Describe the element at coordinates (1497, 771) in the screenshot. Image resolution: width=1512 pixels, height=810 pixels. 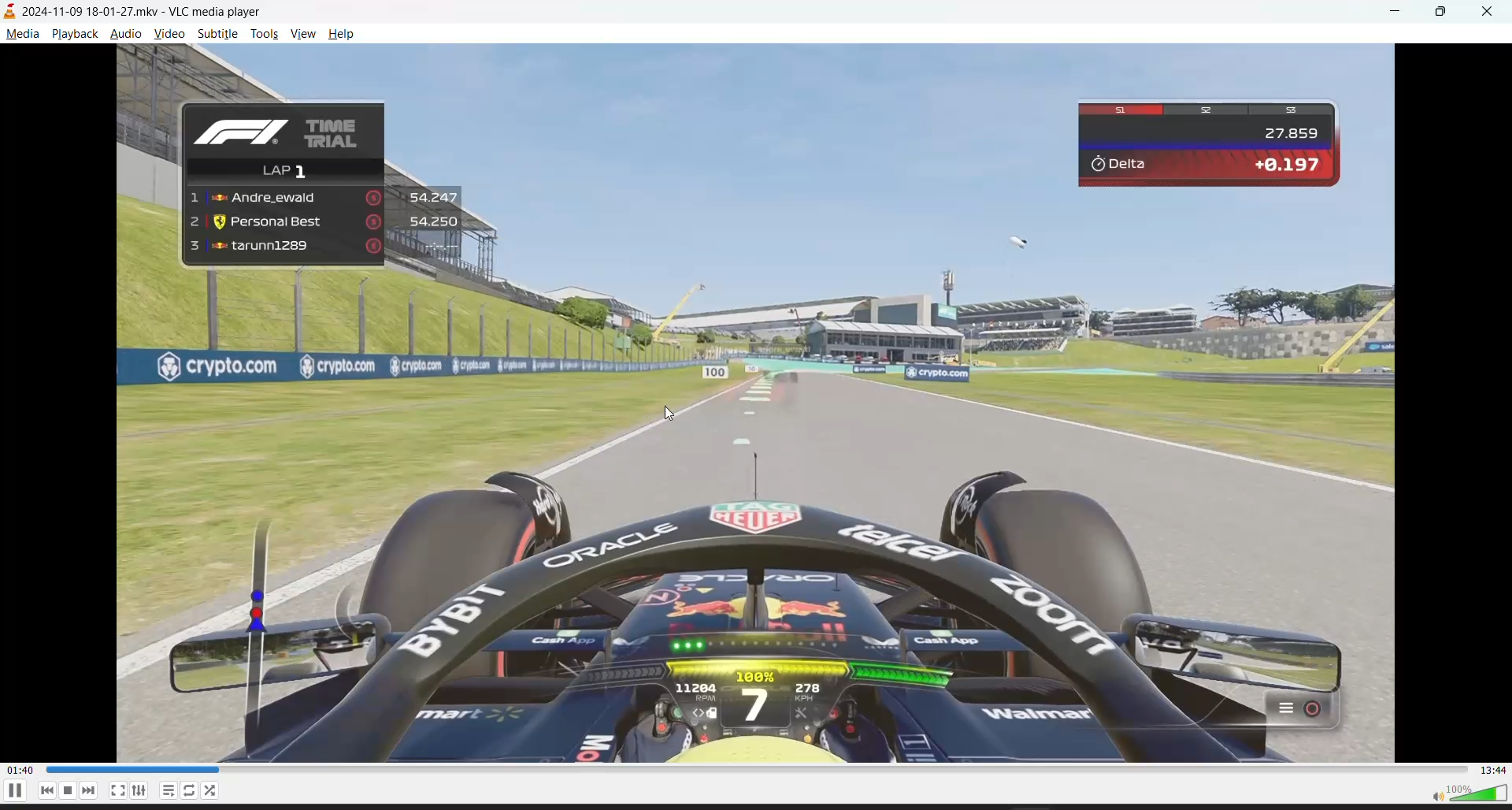
I see `total track time` at that location.